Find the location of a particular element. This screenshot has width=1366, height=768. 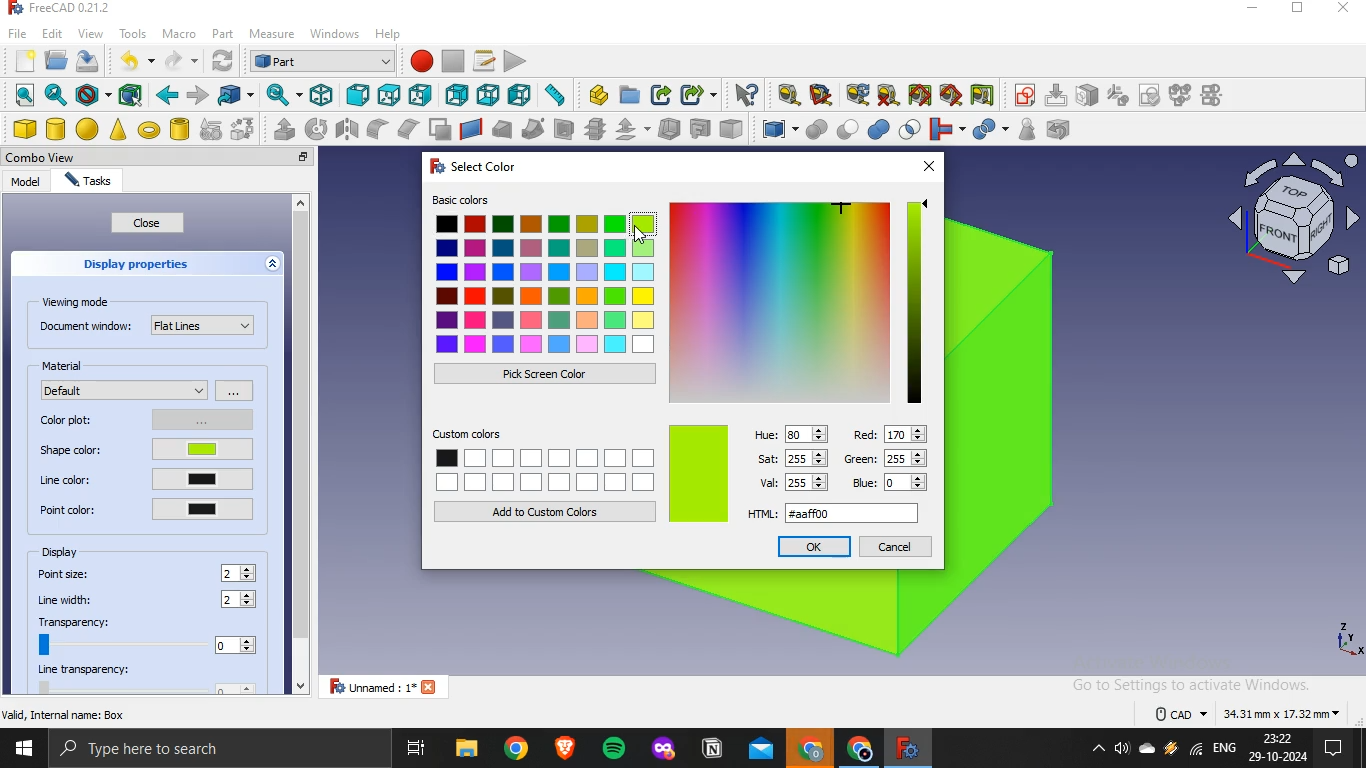

line width is located at coordinates (68, 600).